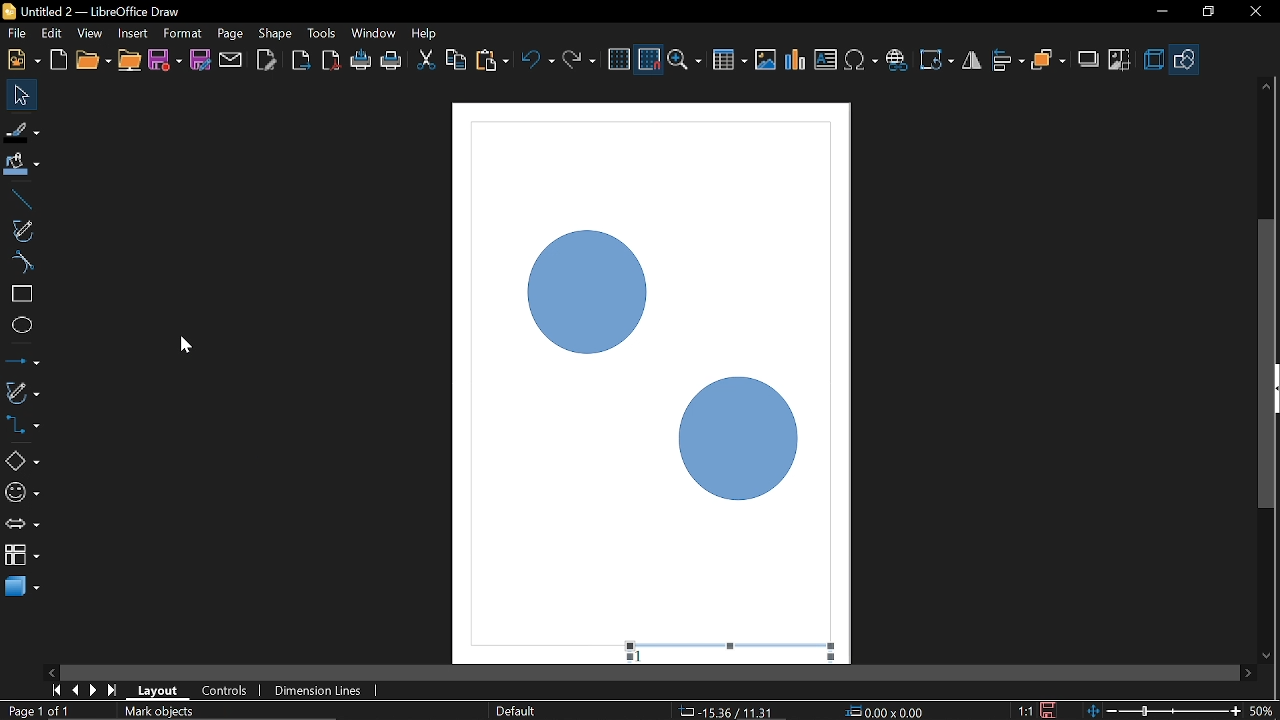 The image size is (1280, 720). Describe the element at coordinates (276, 33) in the screenshot. I see `Shape` at that location.